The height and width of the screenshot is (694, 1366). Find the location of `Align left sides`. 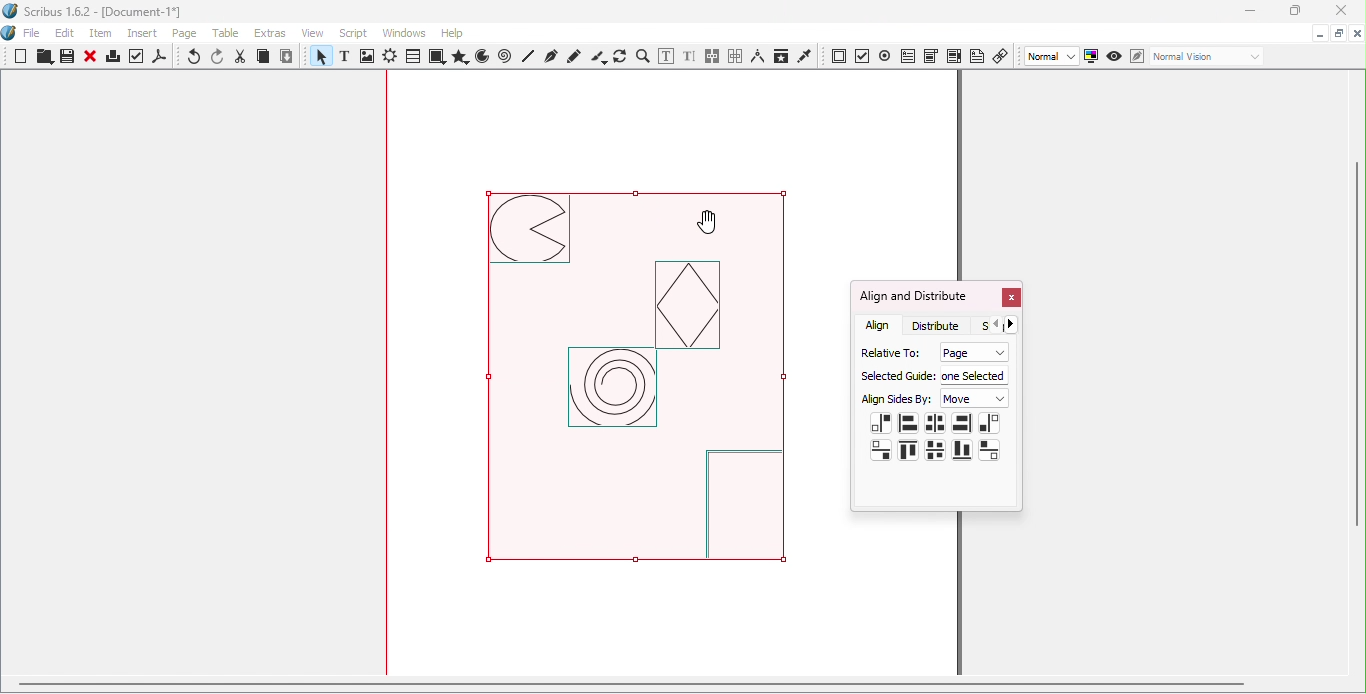

Align left sides is located at coordinates (908, 421).